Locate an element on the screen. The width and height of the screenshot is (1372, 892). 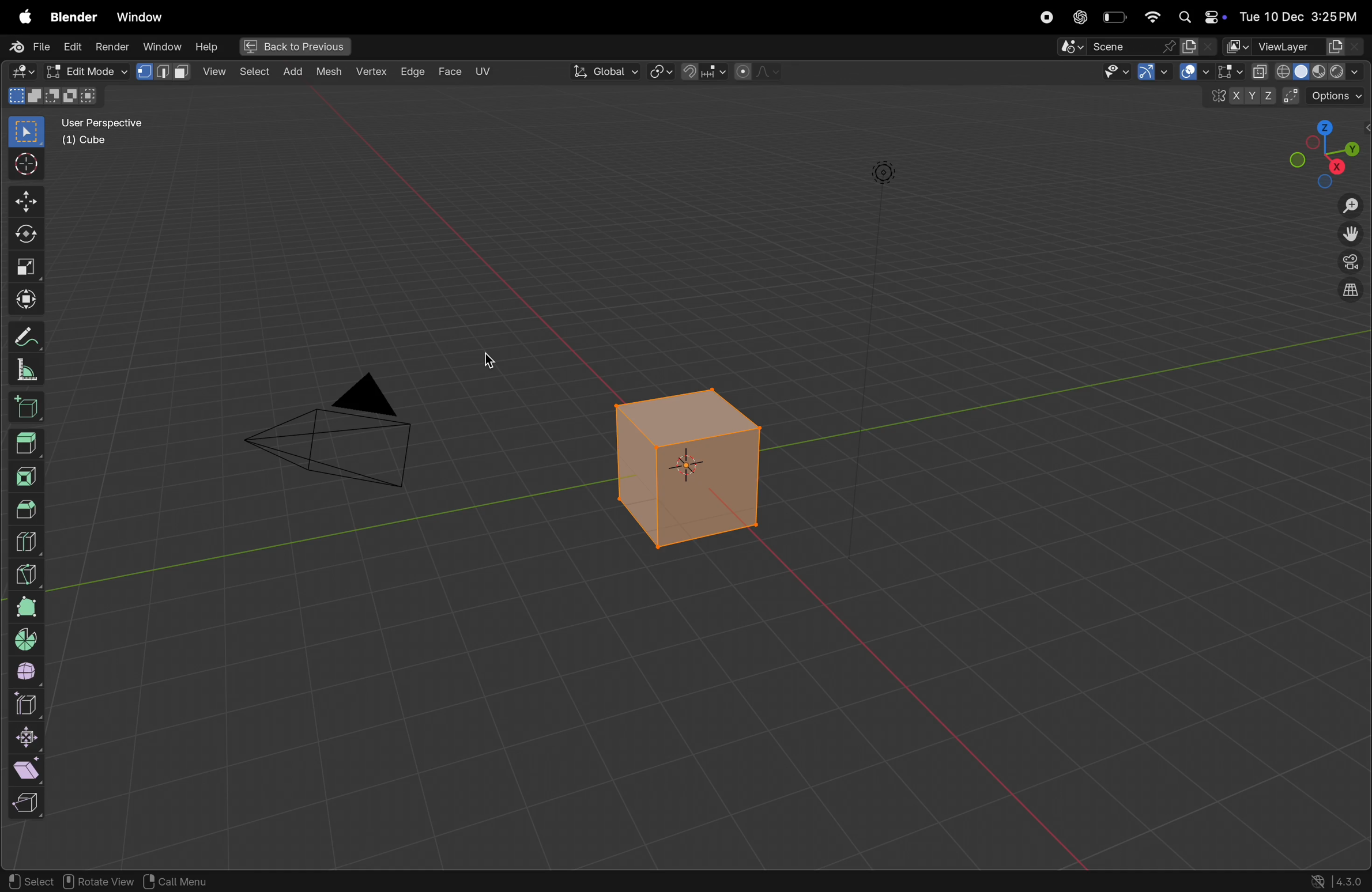
select is located at coordinates (22, 133).